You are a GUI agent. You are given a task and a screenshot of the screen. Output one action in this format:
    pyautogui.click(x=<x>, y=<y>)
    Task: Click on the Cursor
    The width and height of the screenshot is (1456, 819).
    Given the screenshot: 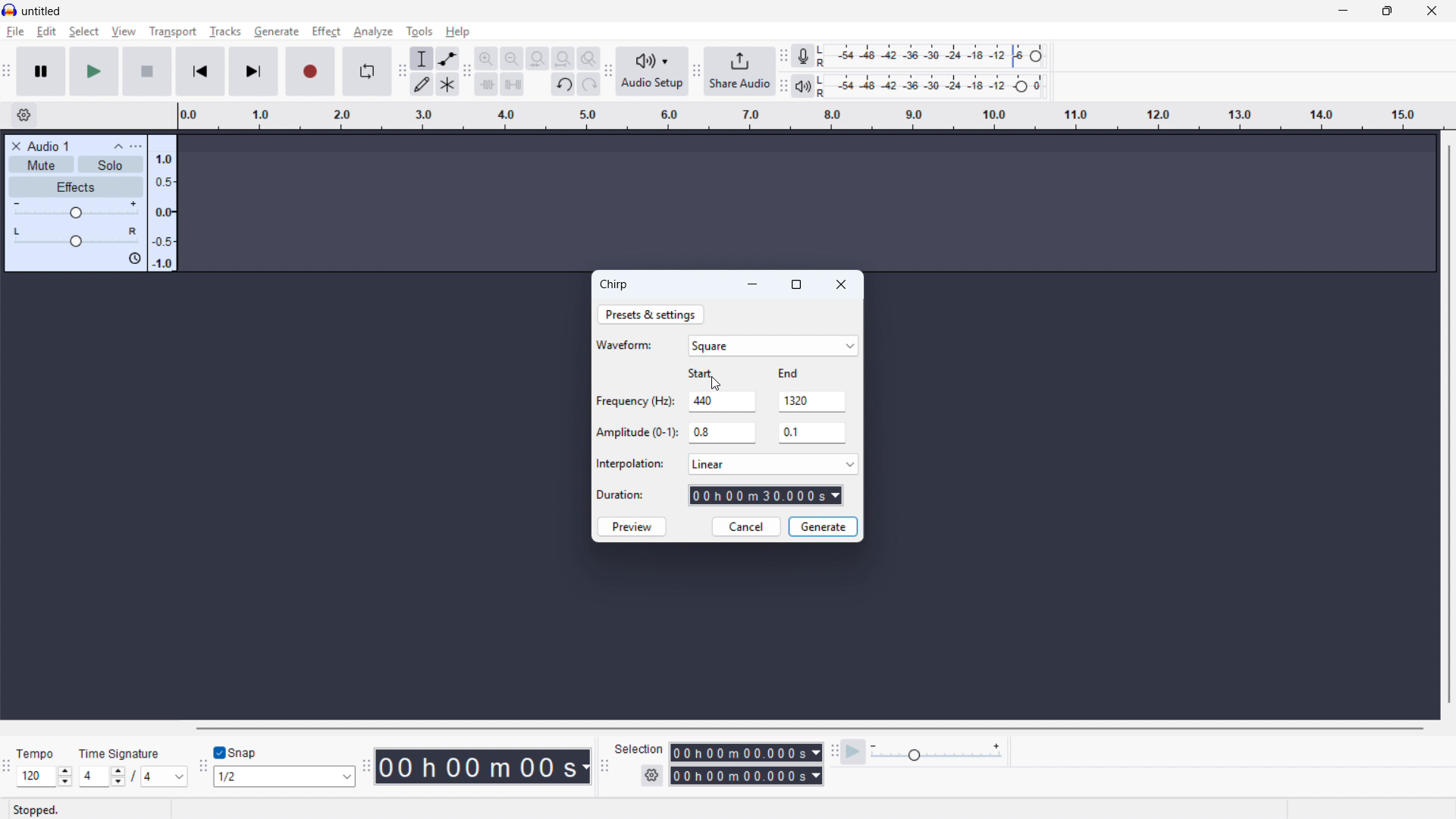 What is the action you would take?
    pyautogui.click(x=716, y=385)
    